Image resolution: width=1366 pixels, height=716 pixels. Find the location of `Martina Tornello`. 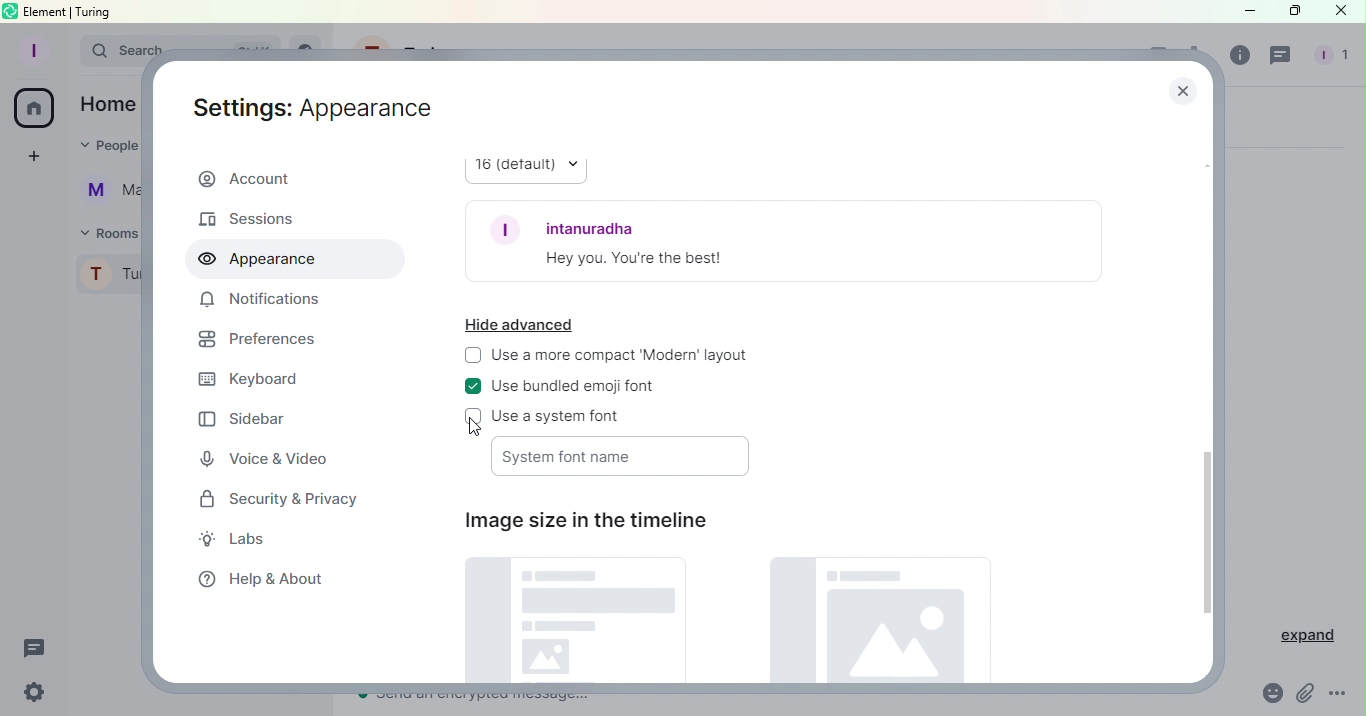

Martina Tornello is located at coordinates (106, 192).